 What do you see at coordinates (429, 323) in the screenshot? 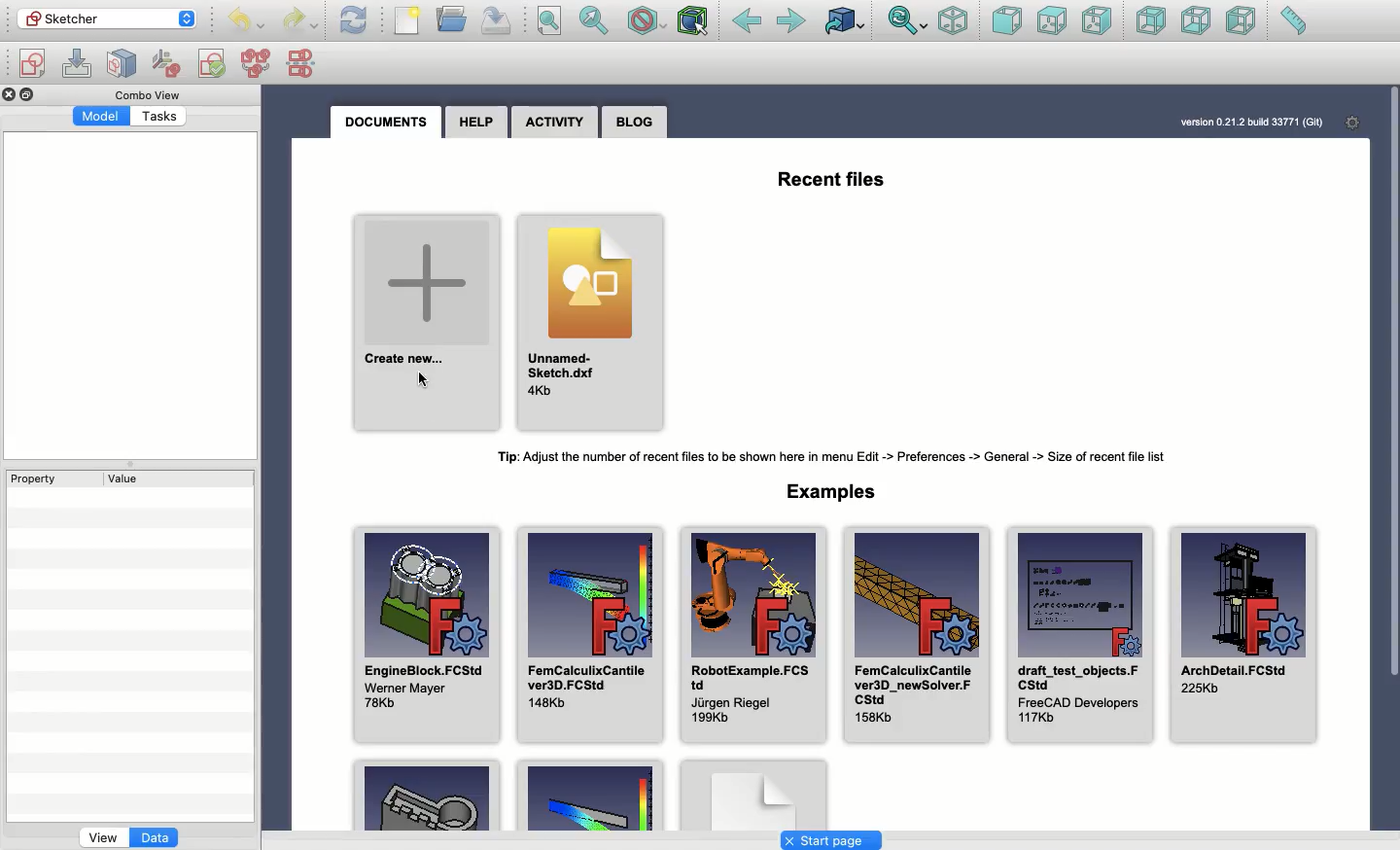
I see `Create new` at bounding box center [429, 323].